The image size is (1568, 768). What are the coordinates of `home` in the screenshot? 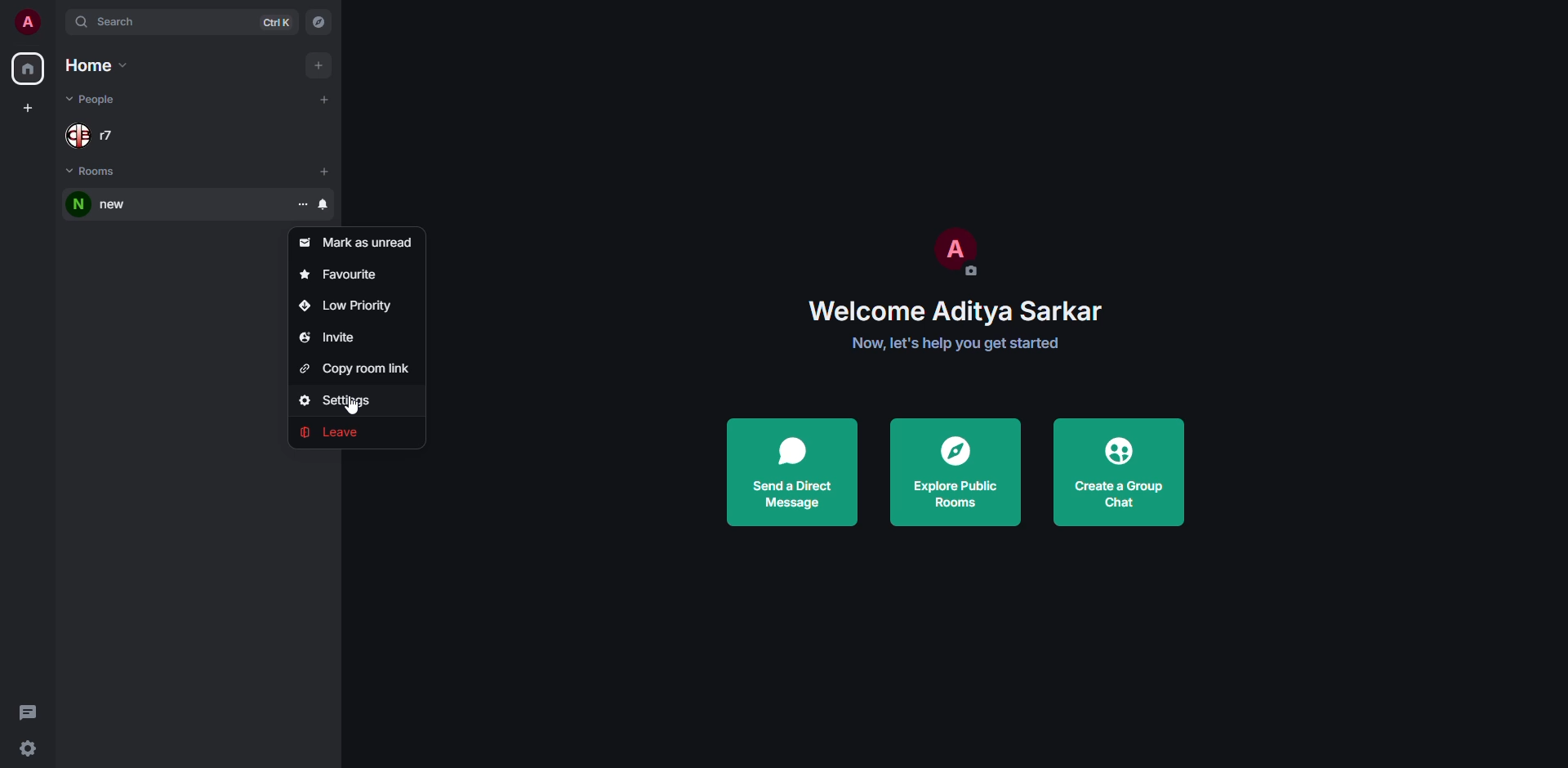 It's located at (28, 69).